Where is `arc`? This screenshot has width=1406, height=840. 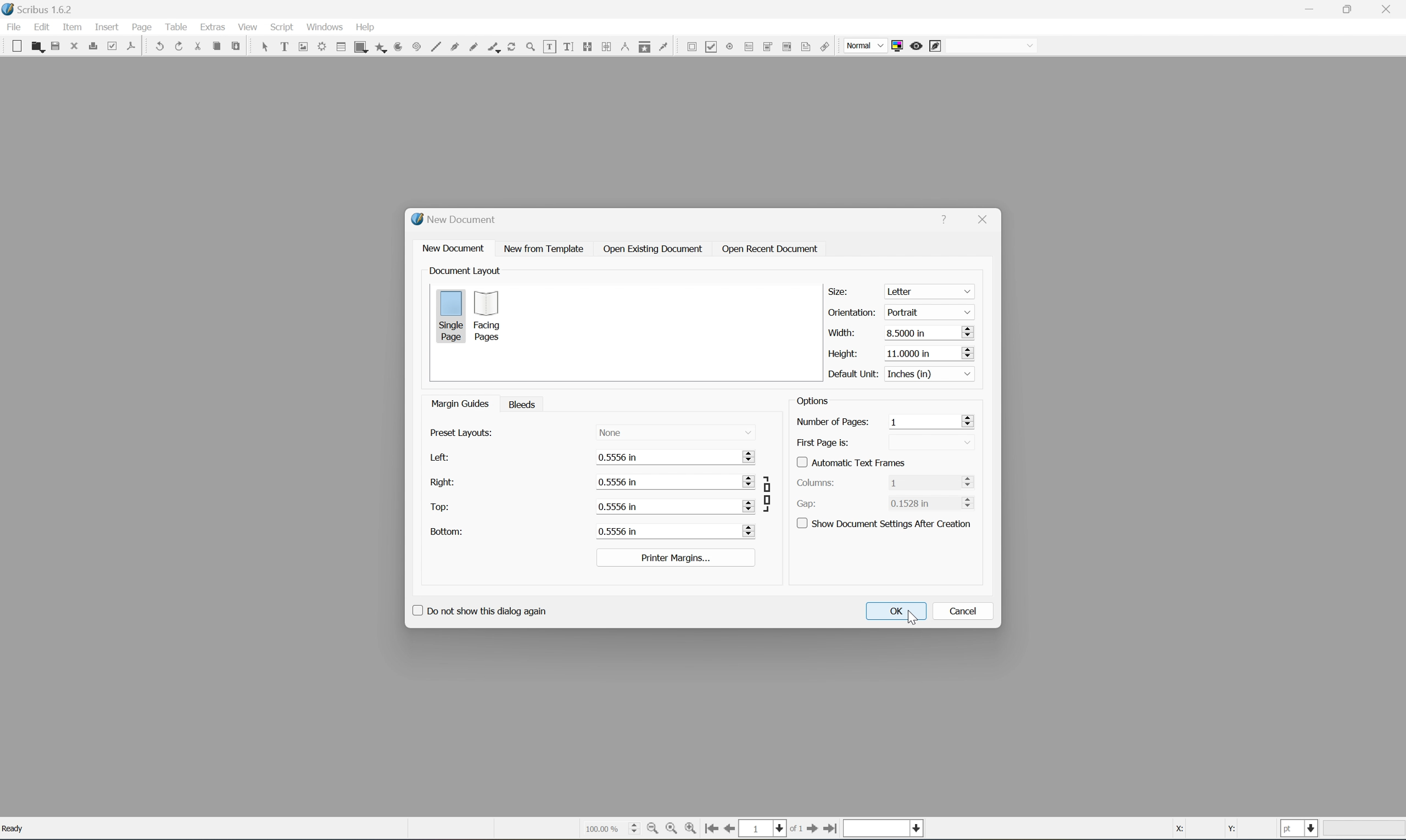
arc is located at coordinates (398, 46).